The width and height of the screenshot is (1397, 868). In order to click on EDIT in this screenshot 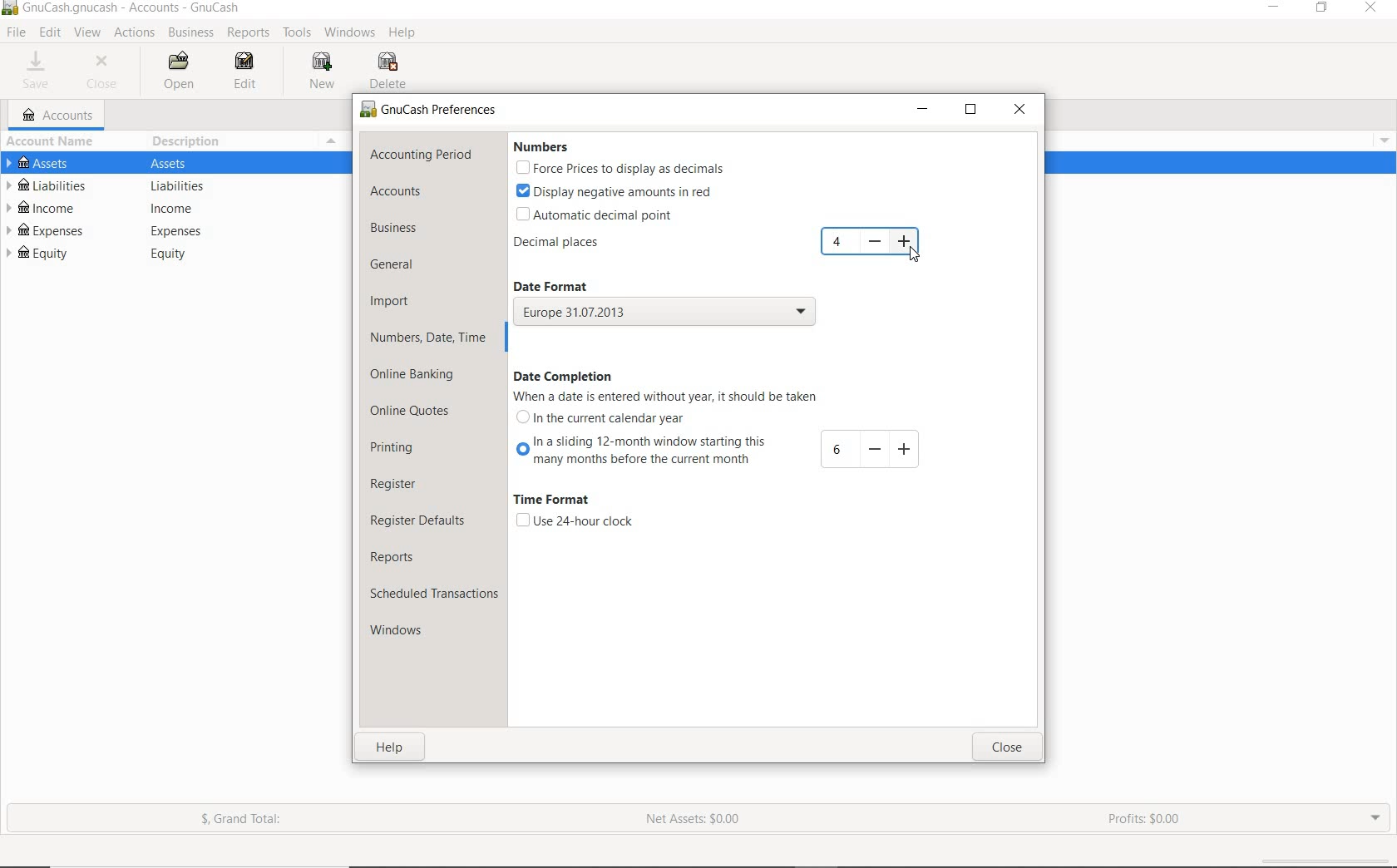, I will do `click(49, 33)`.